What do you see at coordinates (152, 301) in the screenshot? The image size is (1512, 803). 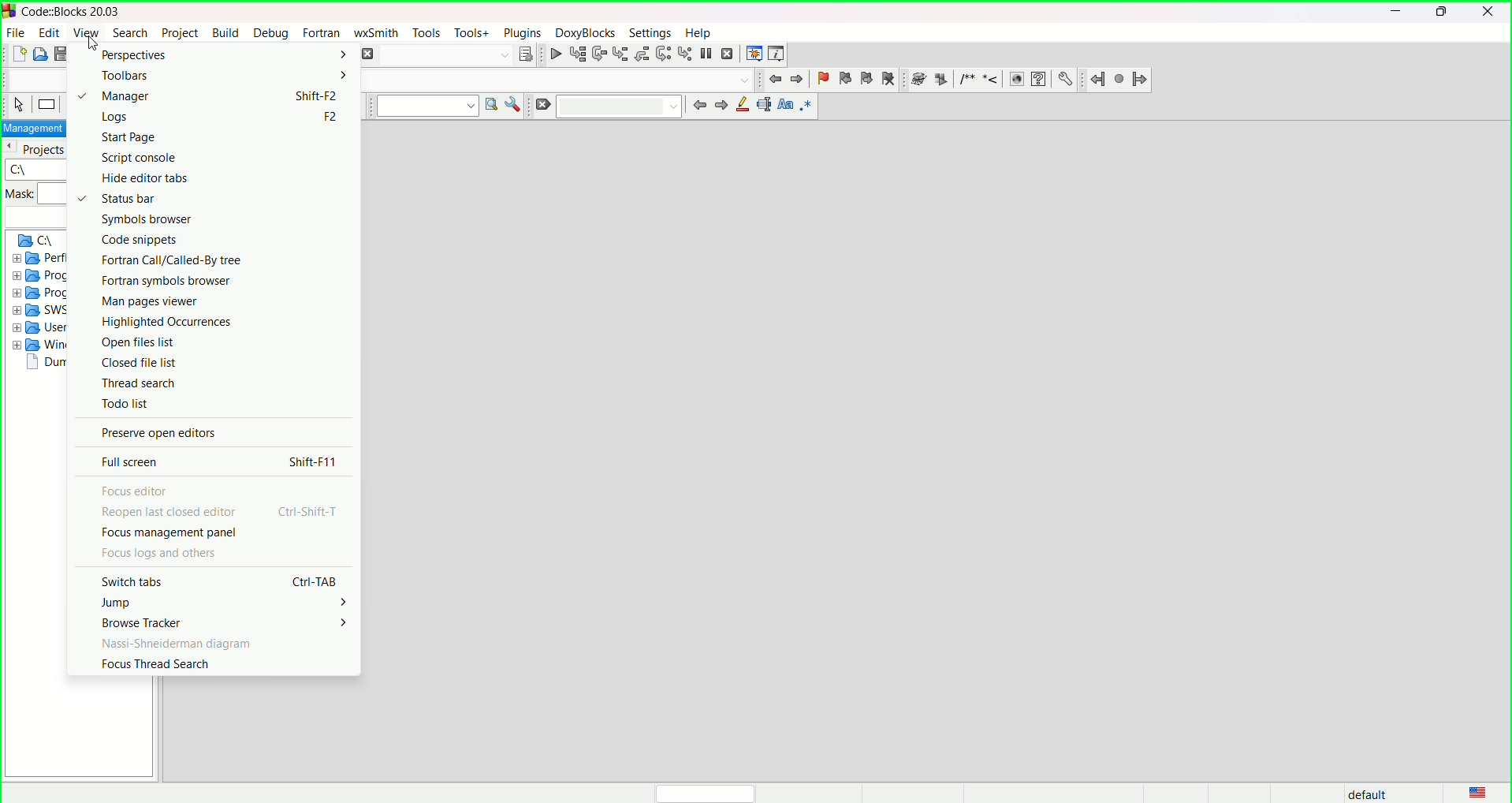 I see `man pages viewer` at bounding box center [152, 301].